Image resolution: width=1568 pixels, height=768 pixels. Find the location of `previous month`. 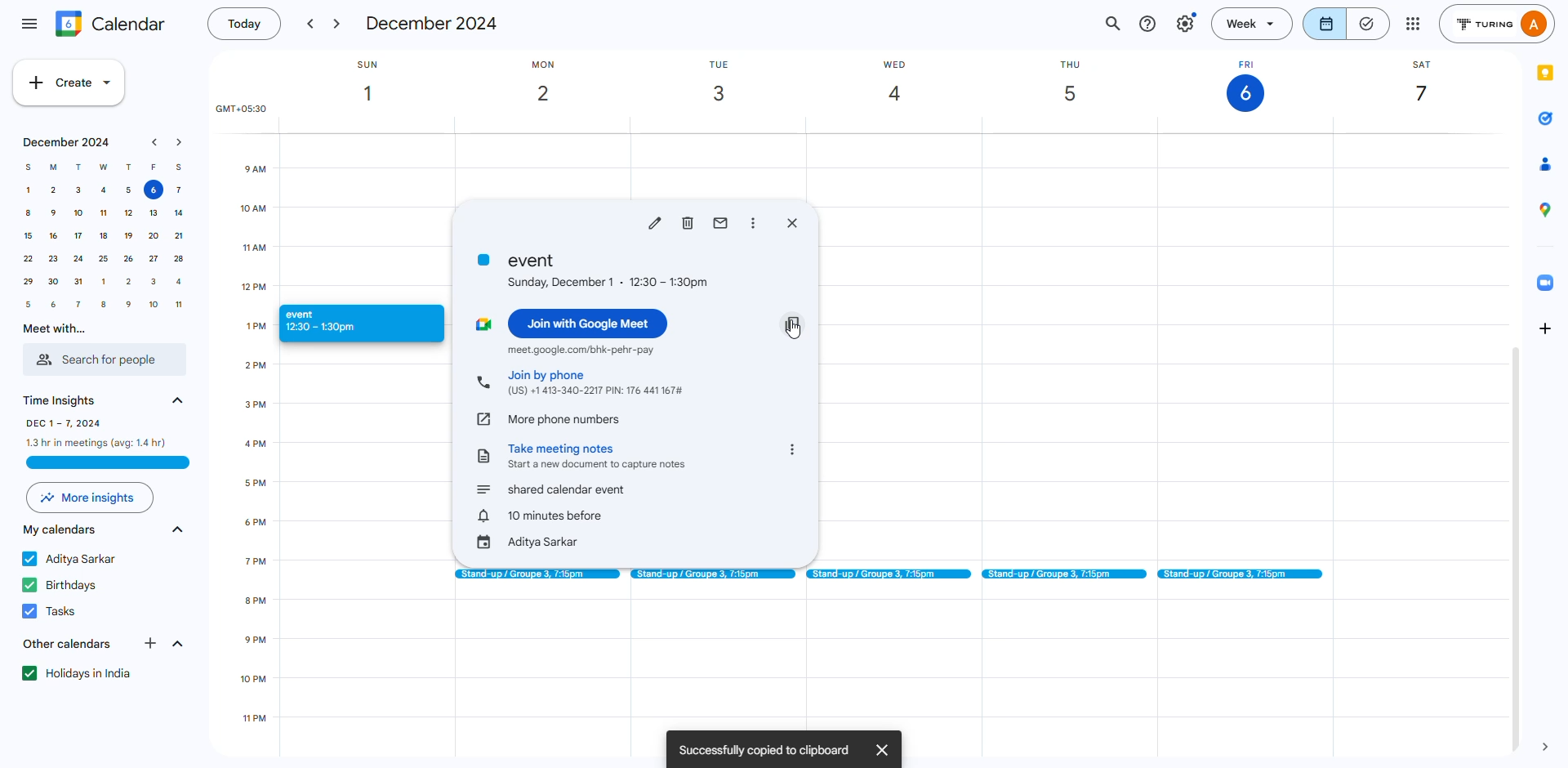

previous month is located at coordinates (154, 143).